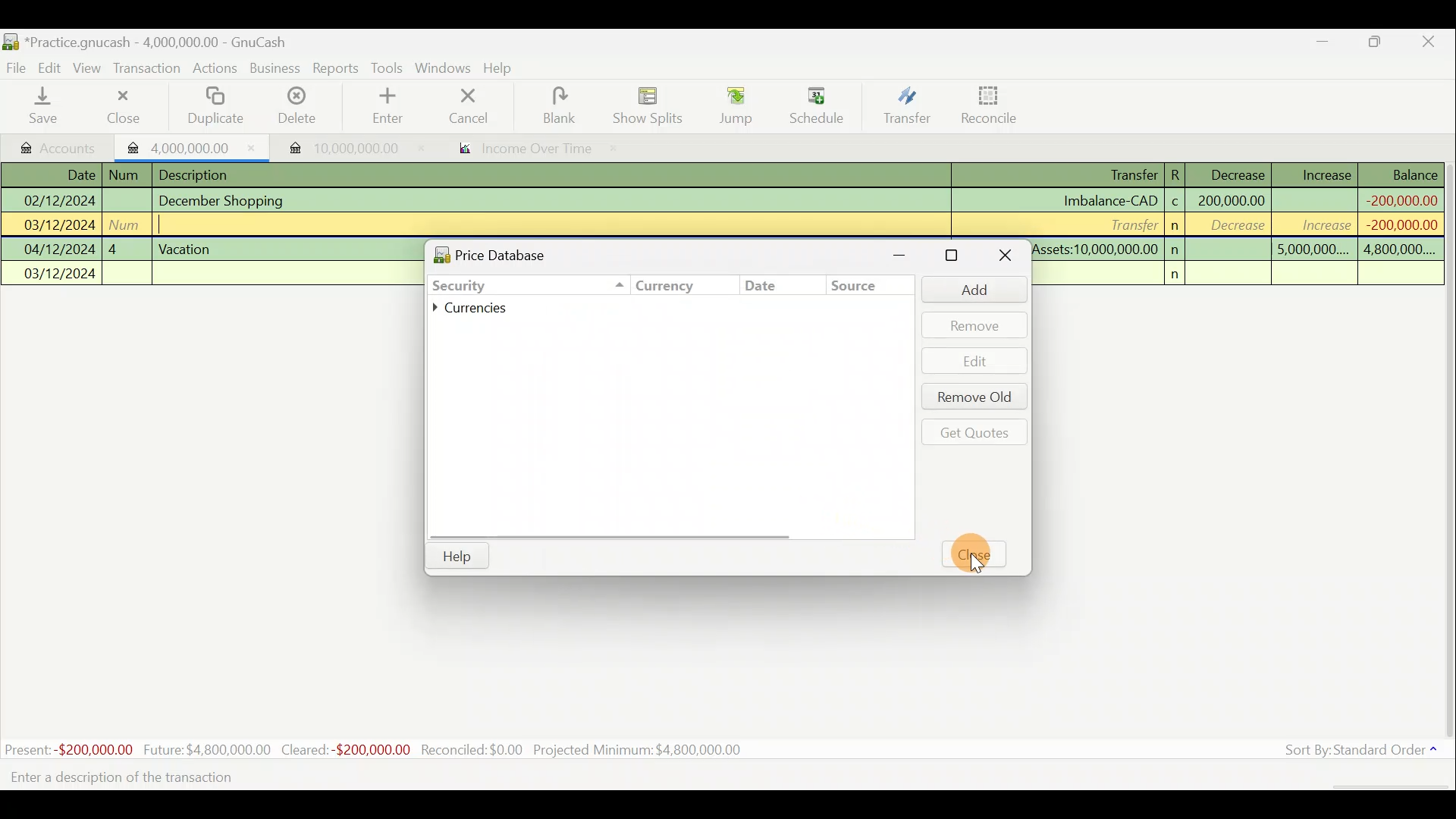 Image resolution: width=1456 pixels, height=819 pixels. Describe the element at coordinates (1003, 257) in the screenshot. I see `Close` at that location.